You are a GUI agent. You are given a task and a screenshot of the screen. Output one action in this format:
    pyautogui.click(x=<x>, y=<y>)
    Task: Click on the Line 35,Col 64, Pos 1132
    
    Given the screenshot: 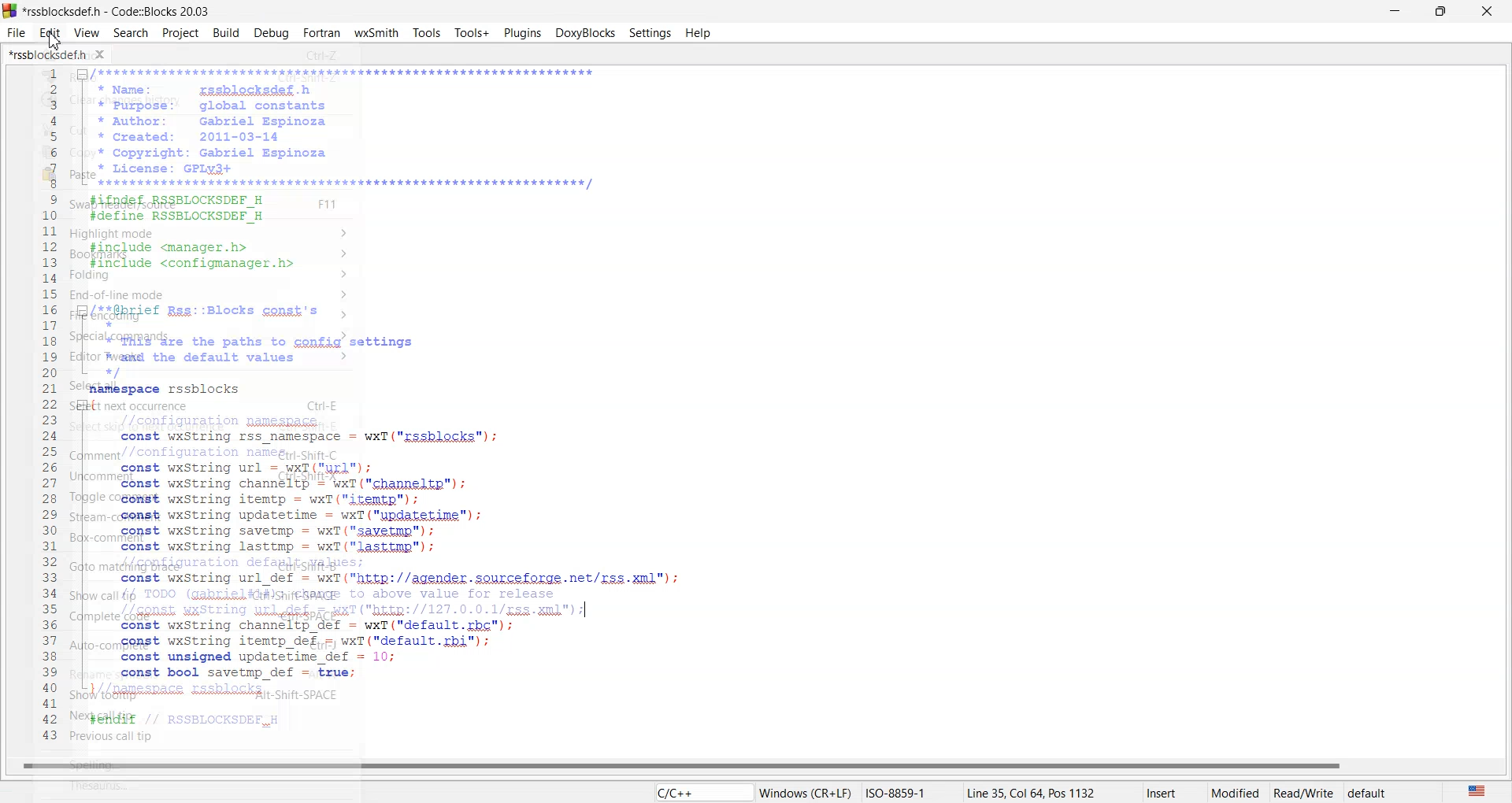 What is the action you would take?
    pyautogui.click(x=1054, y=791)
    